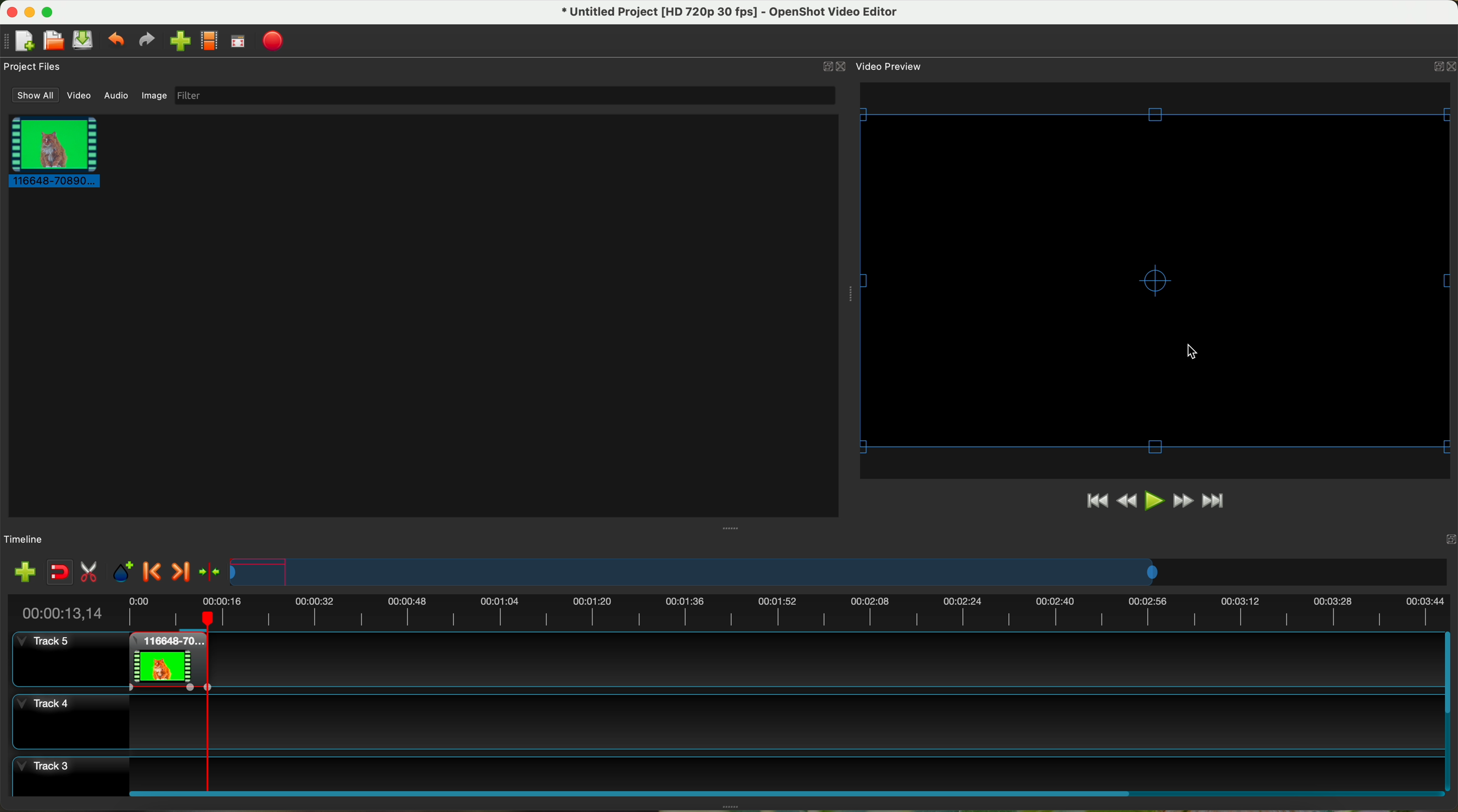  What do you see at coordinates (33, 95) in the screenshot?
I see `show all` at bounding box center [33, 95].